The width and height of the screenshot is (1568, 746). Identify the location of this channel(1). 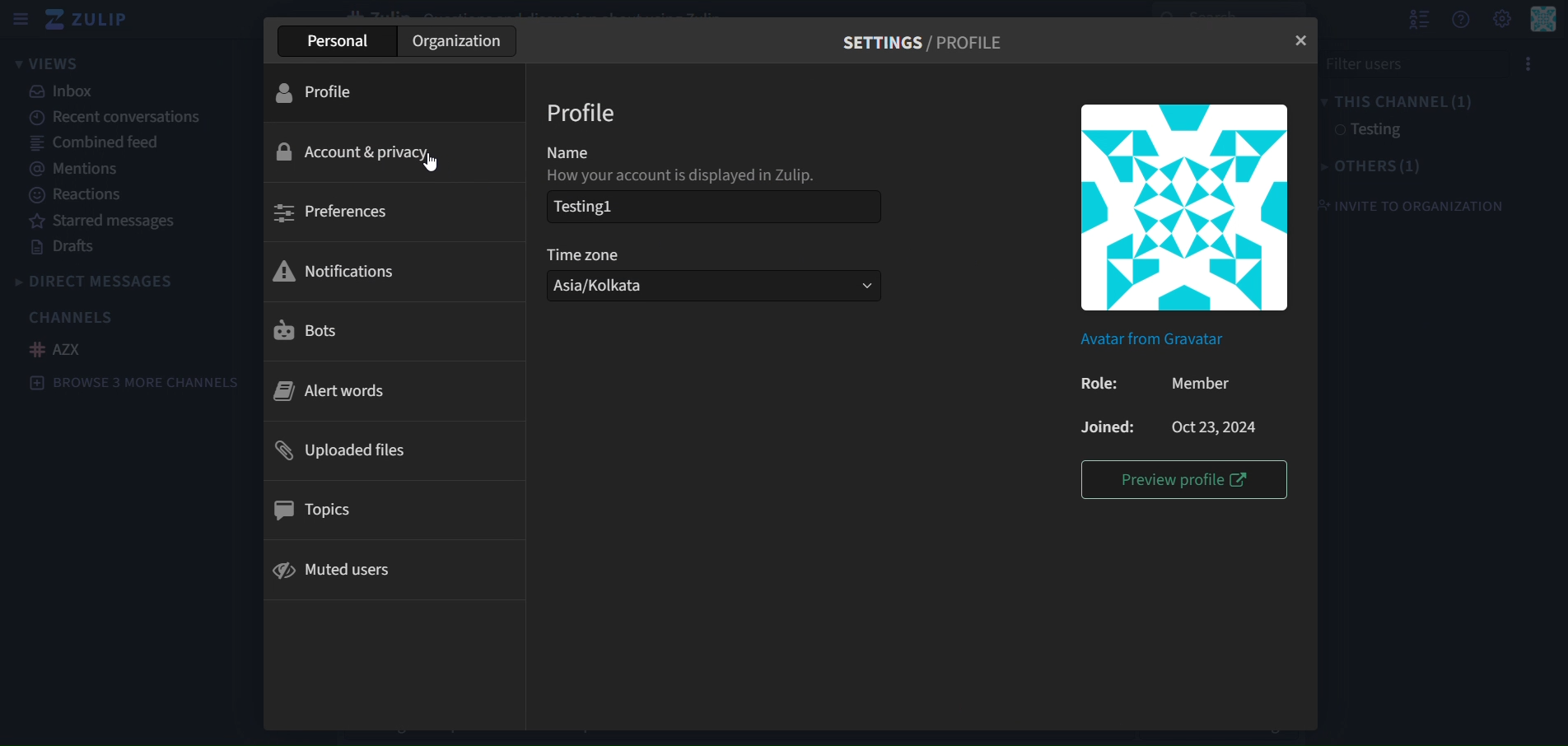
(1397, 102).